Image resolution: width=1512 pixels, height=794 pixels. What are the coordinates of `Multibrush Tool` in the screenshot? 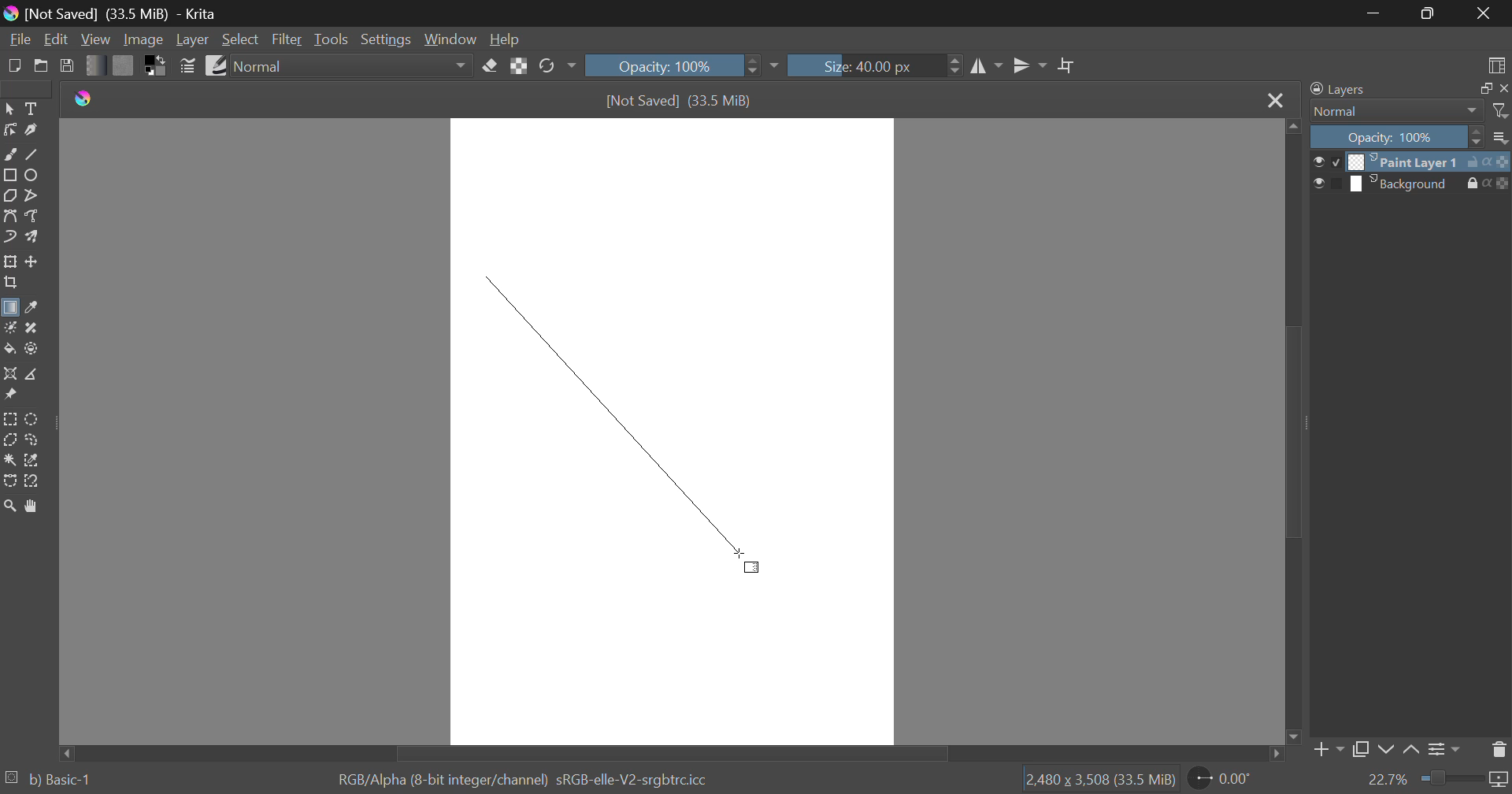 It's located at (31, 238).